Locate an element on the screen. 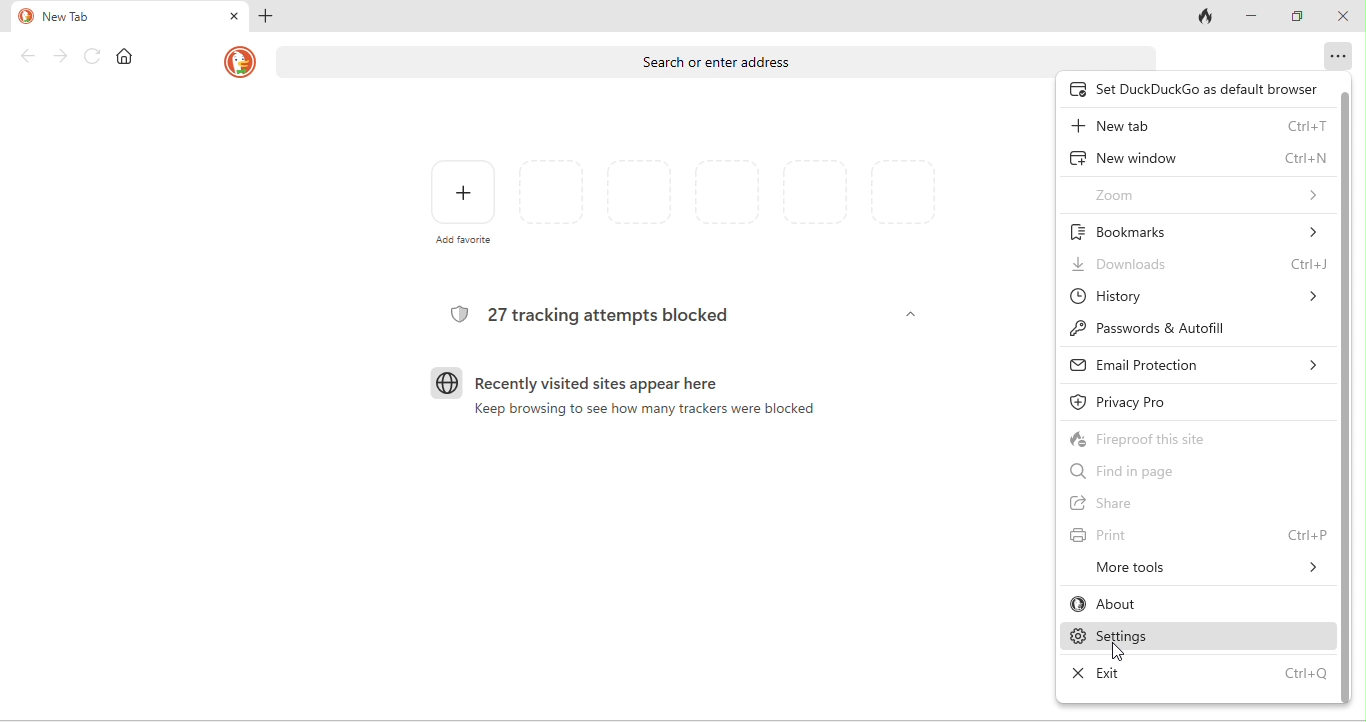 Image resolution: width=1366 pixels, height=722 pixels. forward is located at coordinates (62, 56).